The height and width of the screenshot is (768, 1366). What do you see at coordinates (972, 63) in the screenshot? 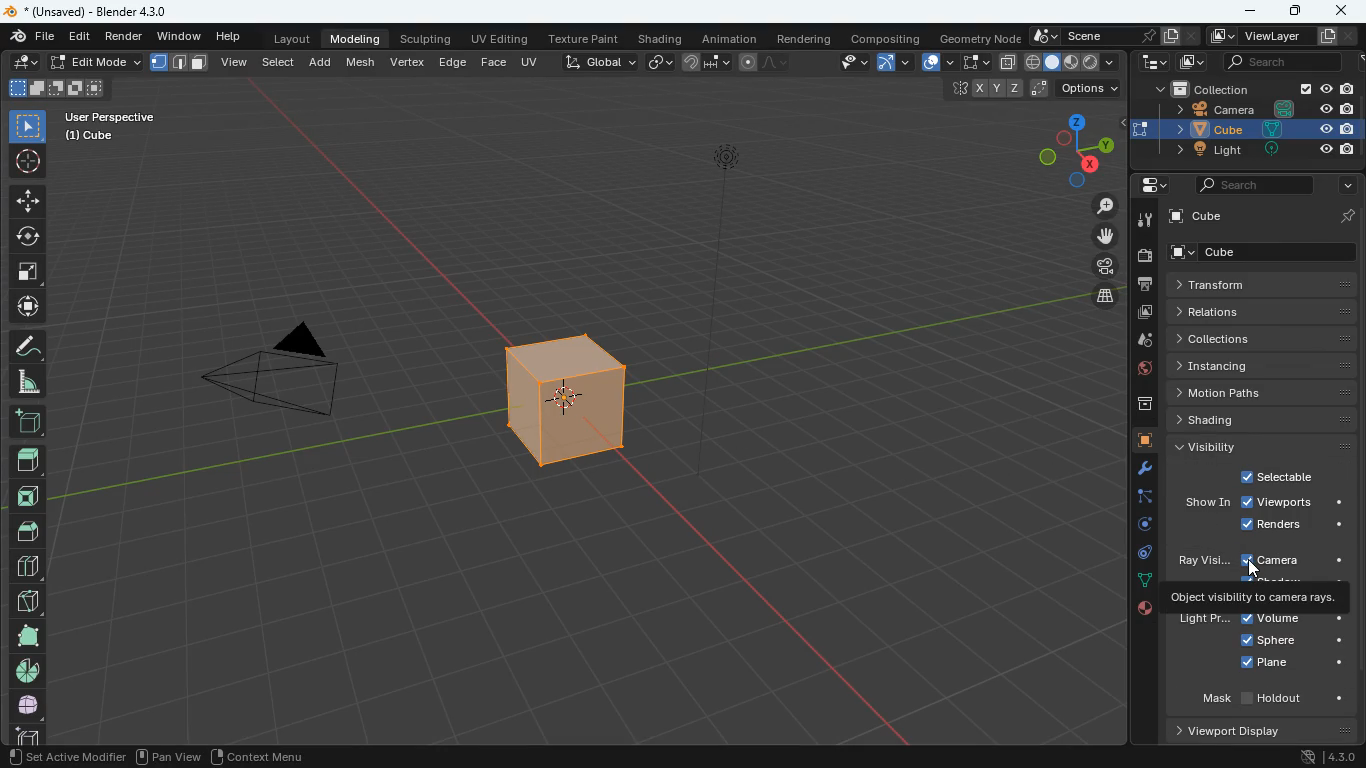
I see `select` at bounding box center [972, 63].